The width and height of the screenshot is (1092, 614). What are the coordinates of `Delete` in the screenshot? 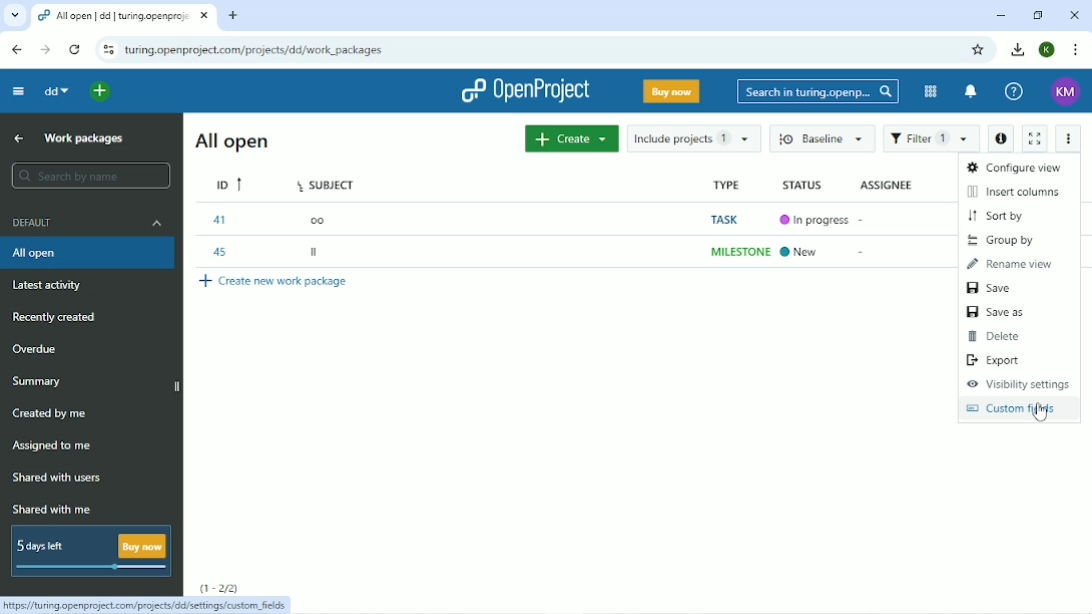 It's located at (998, 337).